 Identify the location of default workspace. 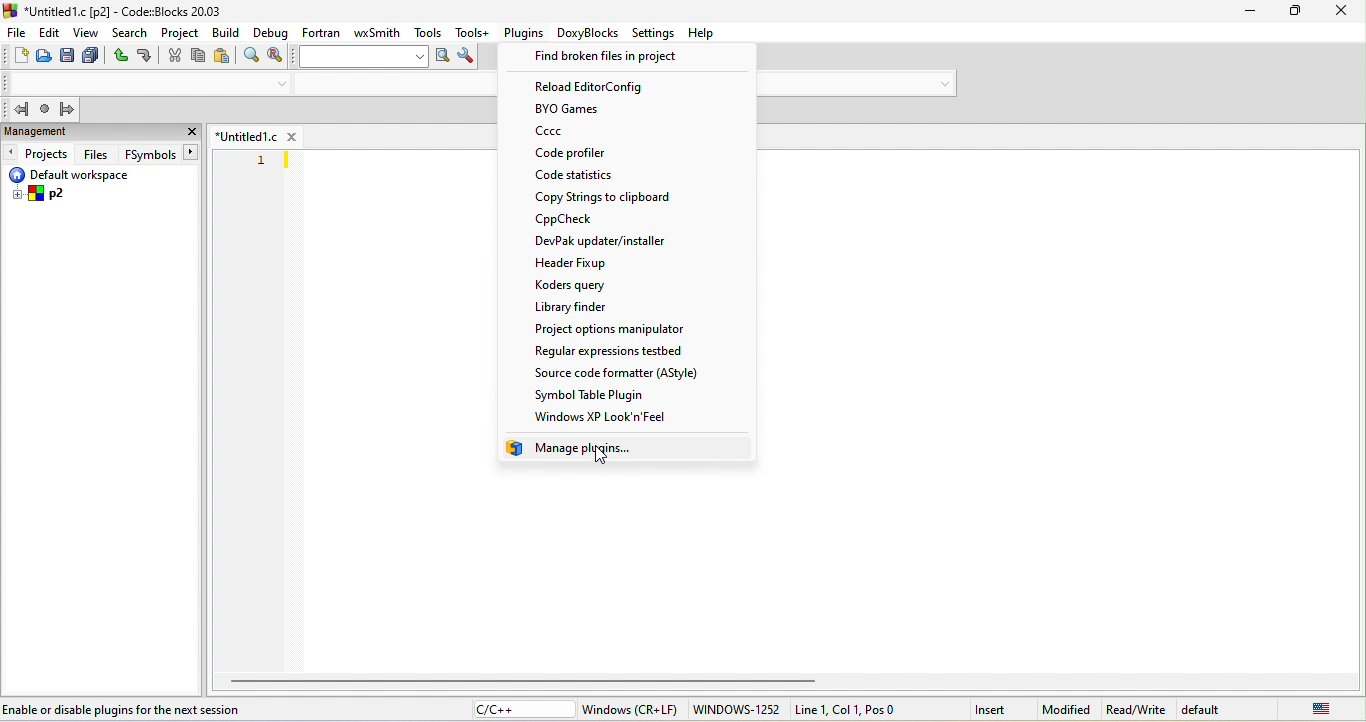
(83, 175).